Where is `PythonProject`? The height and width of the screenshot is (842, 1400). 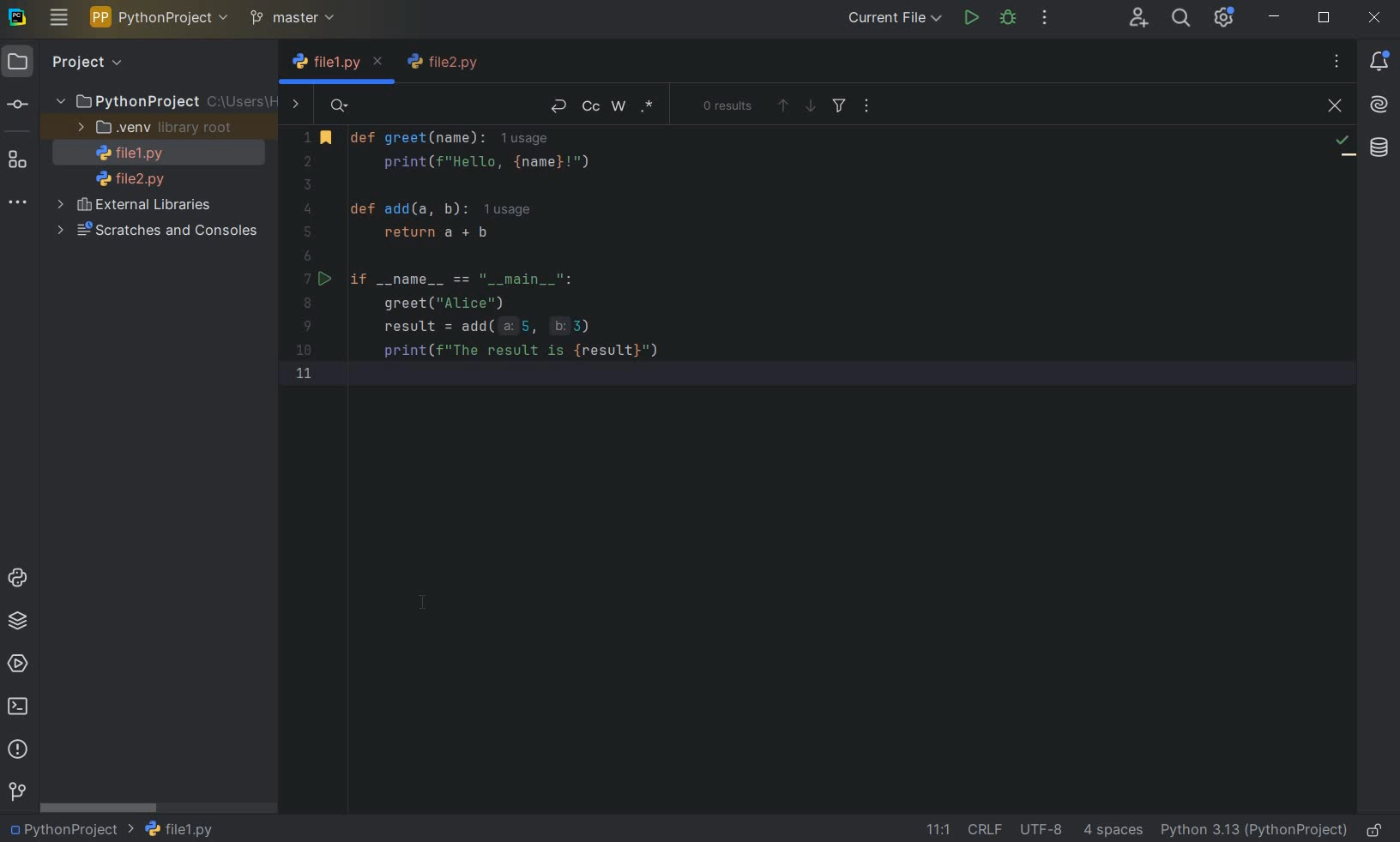
PythonProject is located at coordinates (165, 103).